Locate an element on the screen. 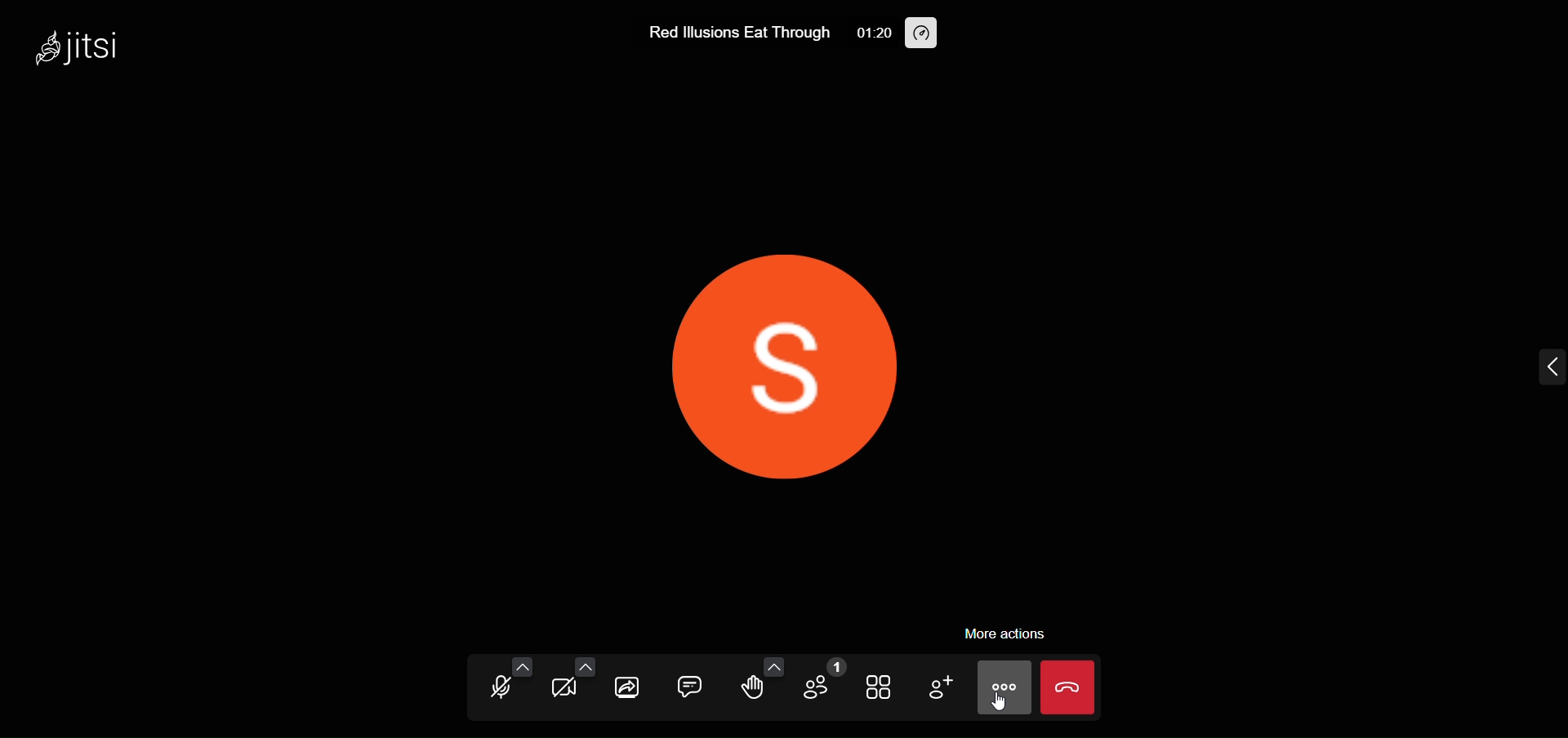 The width and height of the screenshot is (1568, 738). Red lllusions Eat Through is located at coordinates (730, 34).